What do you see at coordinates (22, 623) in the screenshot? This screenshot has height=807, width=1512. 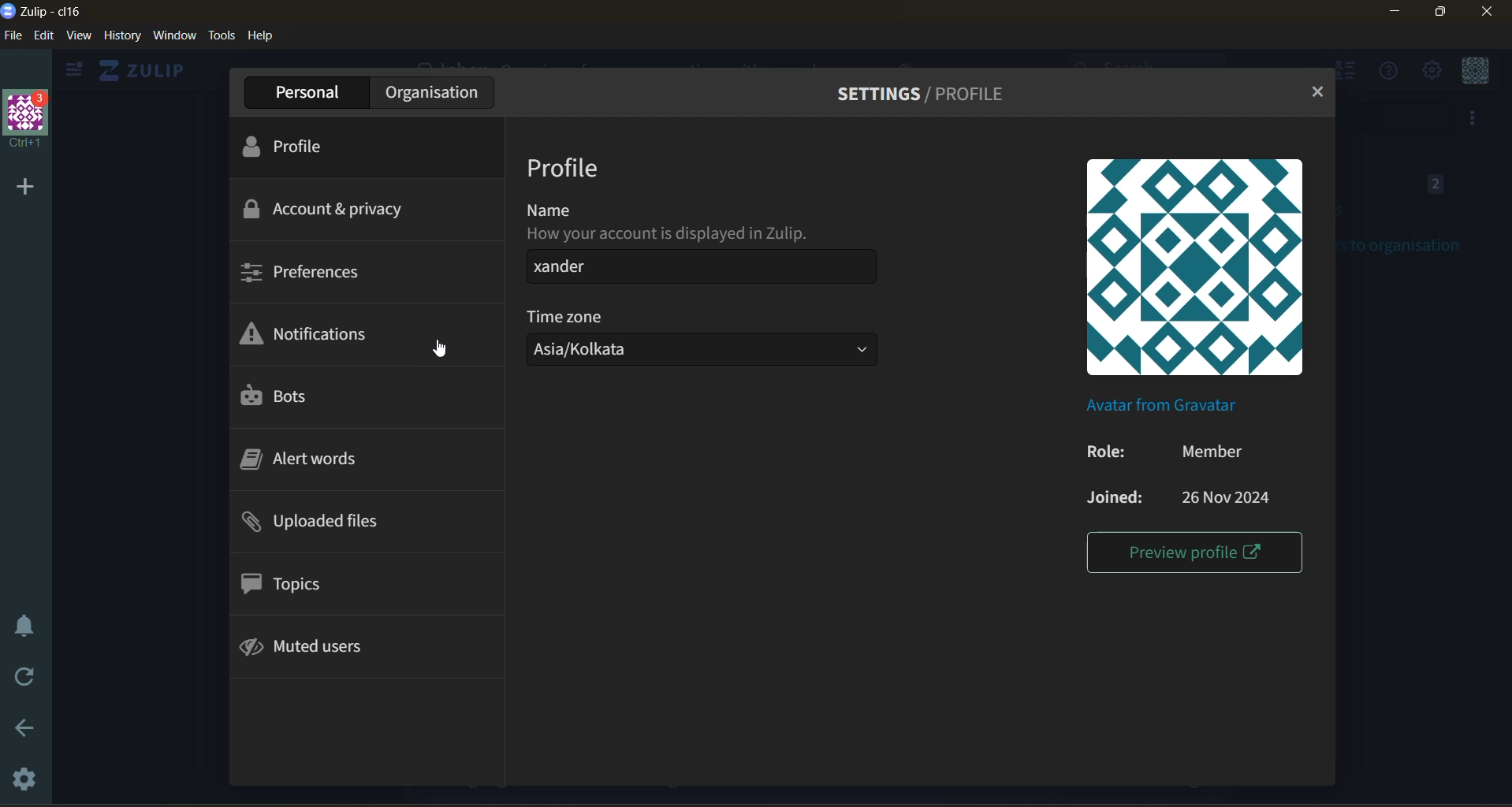 I see `enable do not disturb` at bounding box center [22, 623].